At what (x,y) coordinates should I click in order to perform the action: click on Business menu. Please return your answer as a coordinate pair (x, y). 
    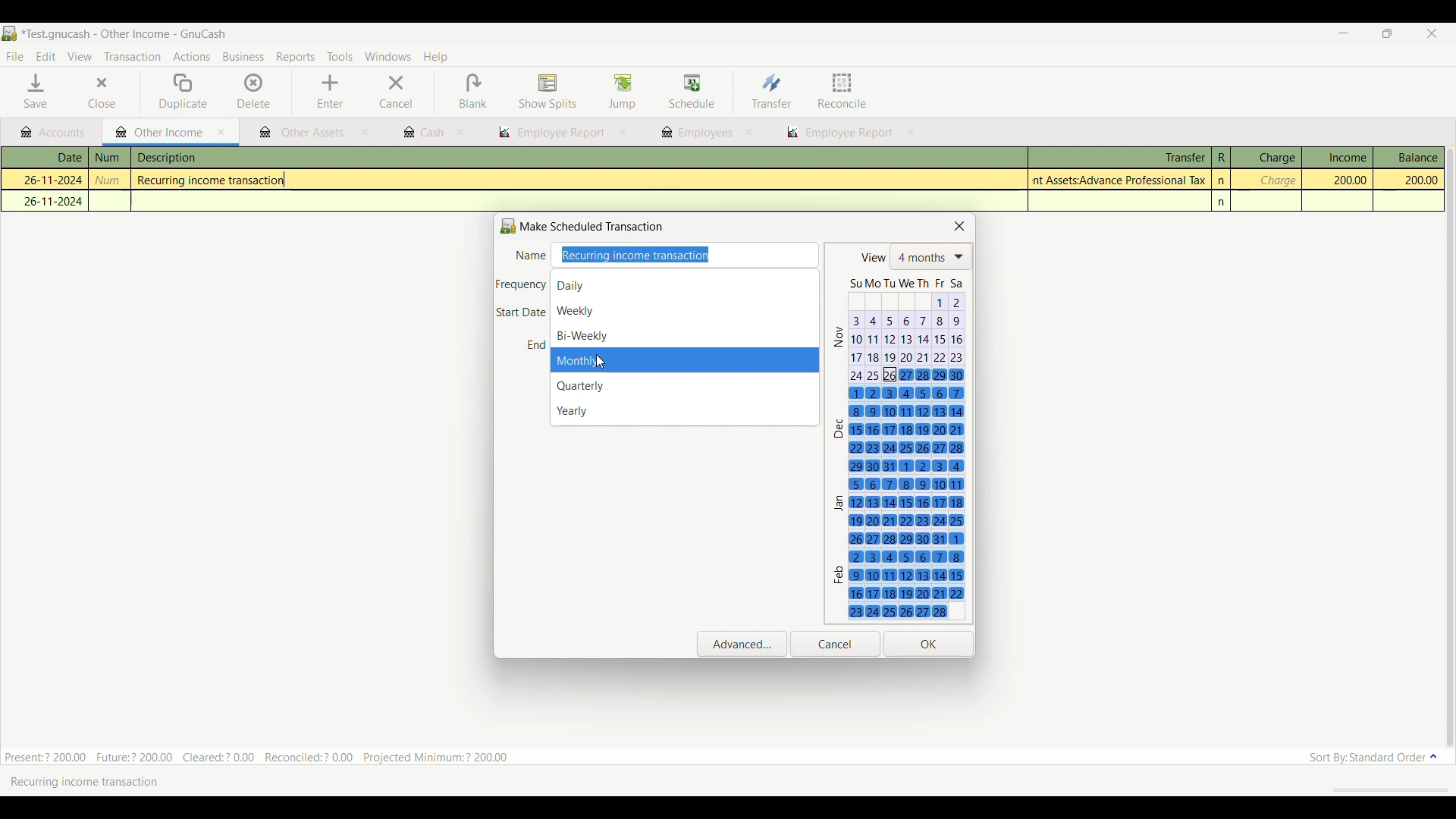
    Looking at the image, I should click on (243, 58).